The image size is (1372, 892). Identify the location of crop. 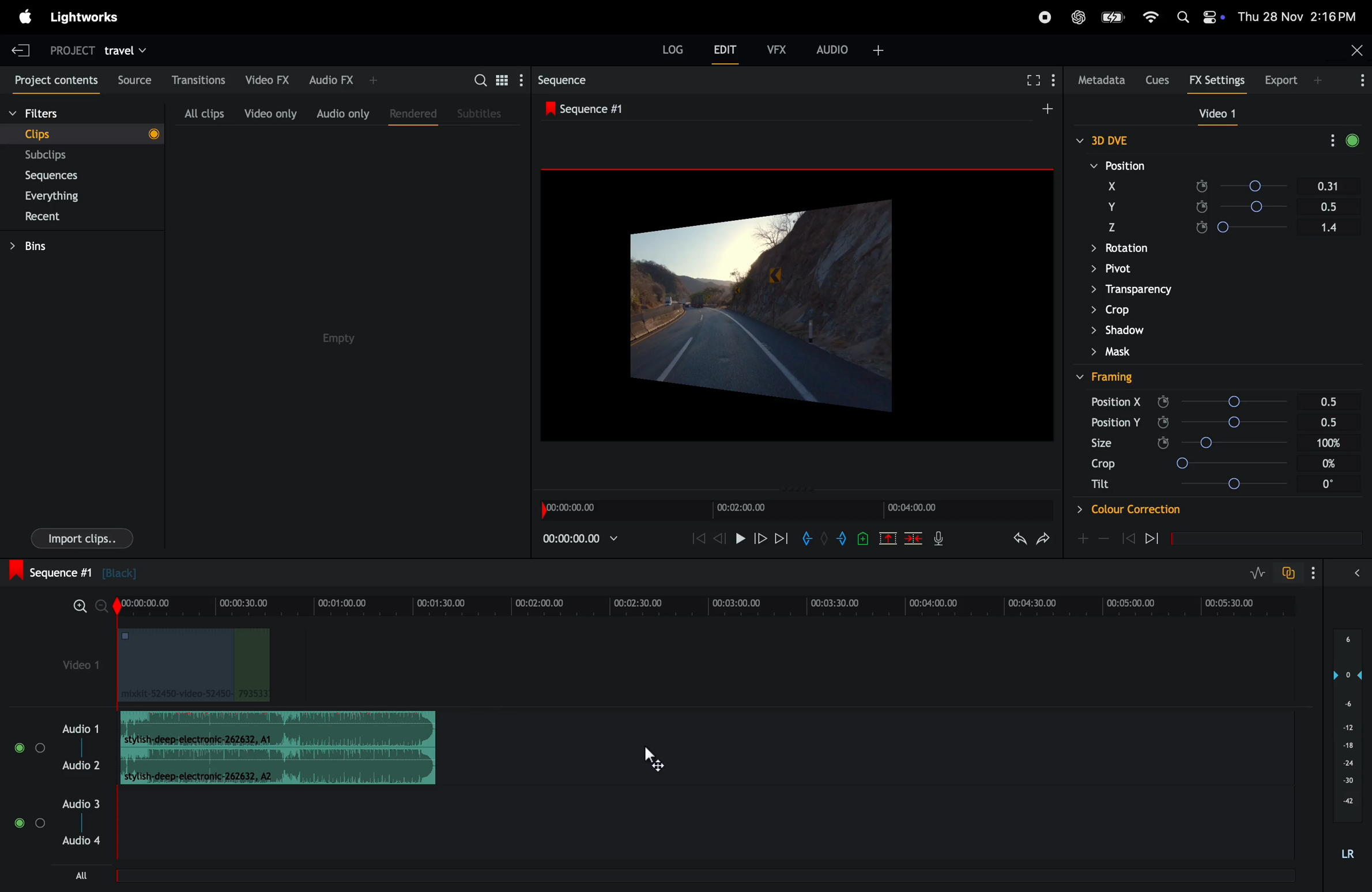
(1113, 226).